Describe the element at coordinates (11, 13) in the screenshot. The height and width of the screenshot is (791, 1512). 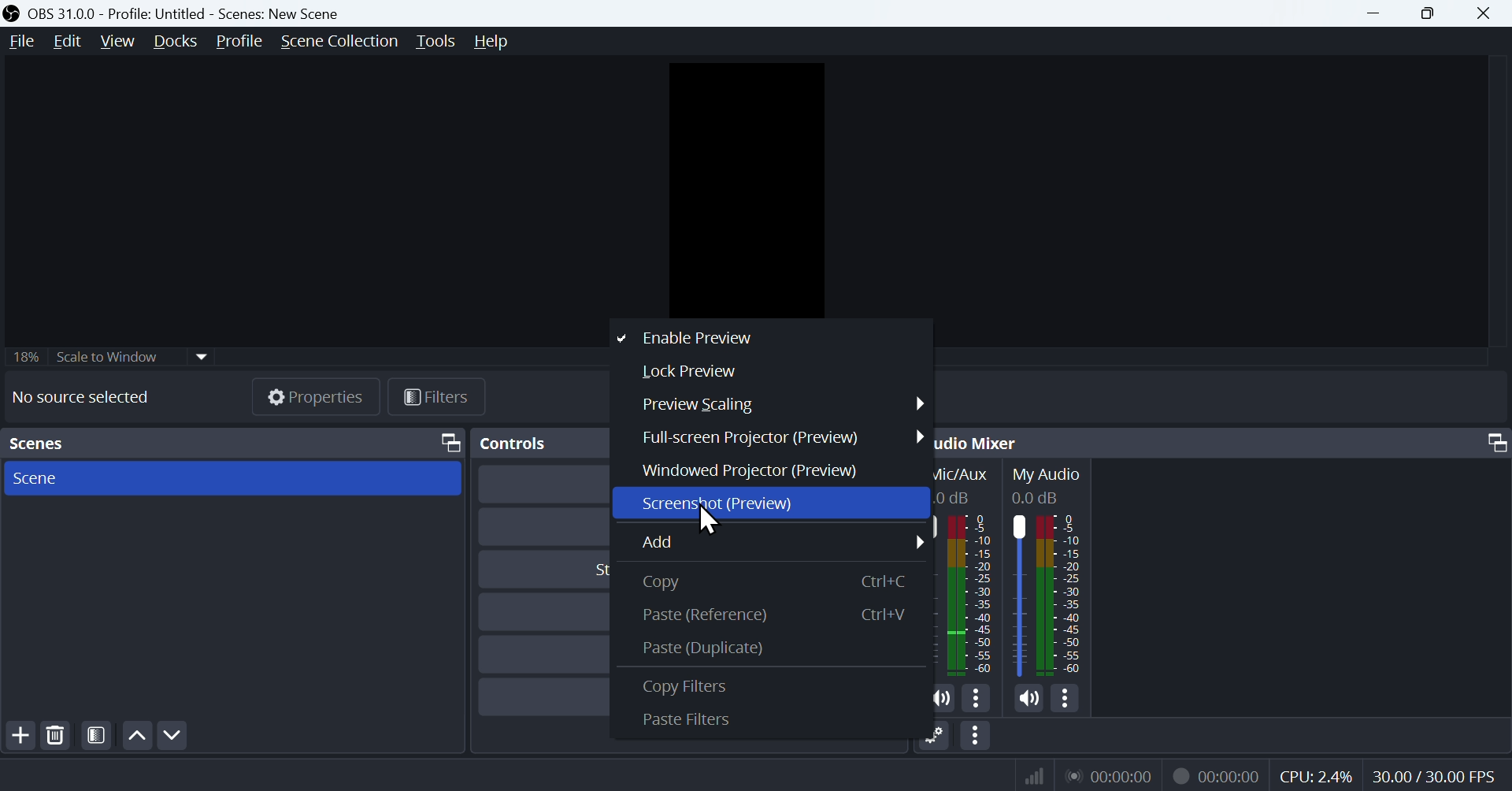
I see `OBS LOGO` at that location.